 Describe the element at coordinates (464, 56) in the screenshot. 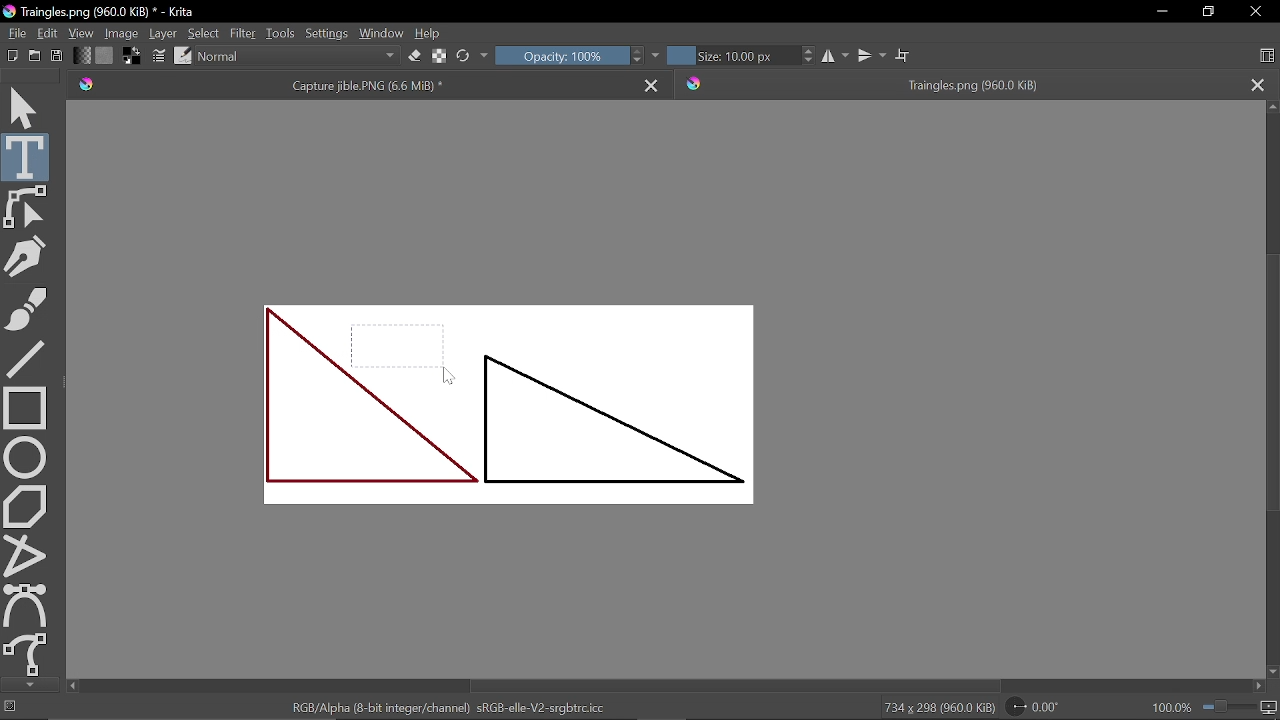

I see `Choose brush preset` at that location.